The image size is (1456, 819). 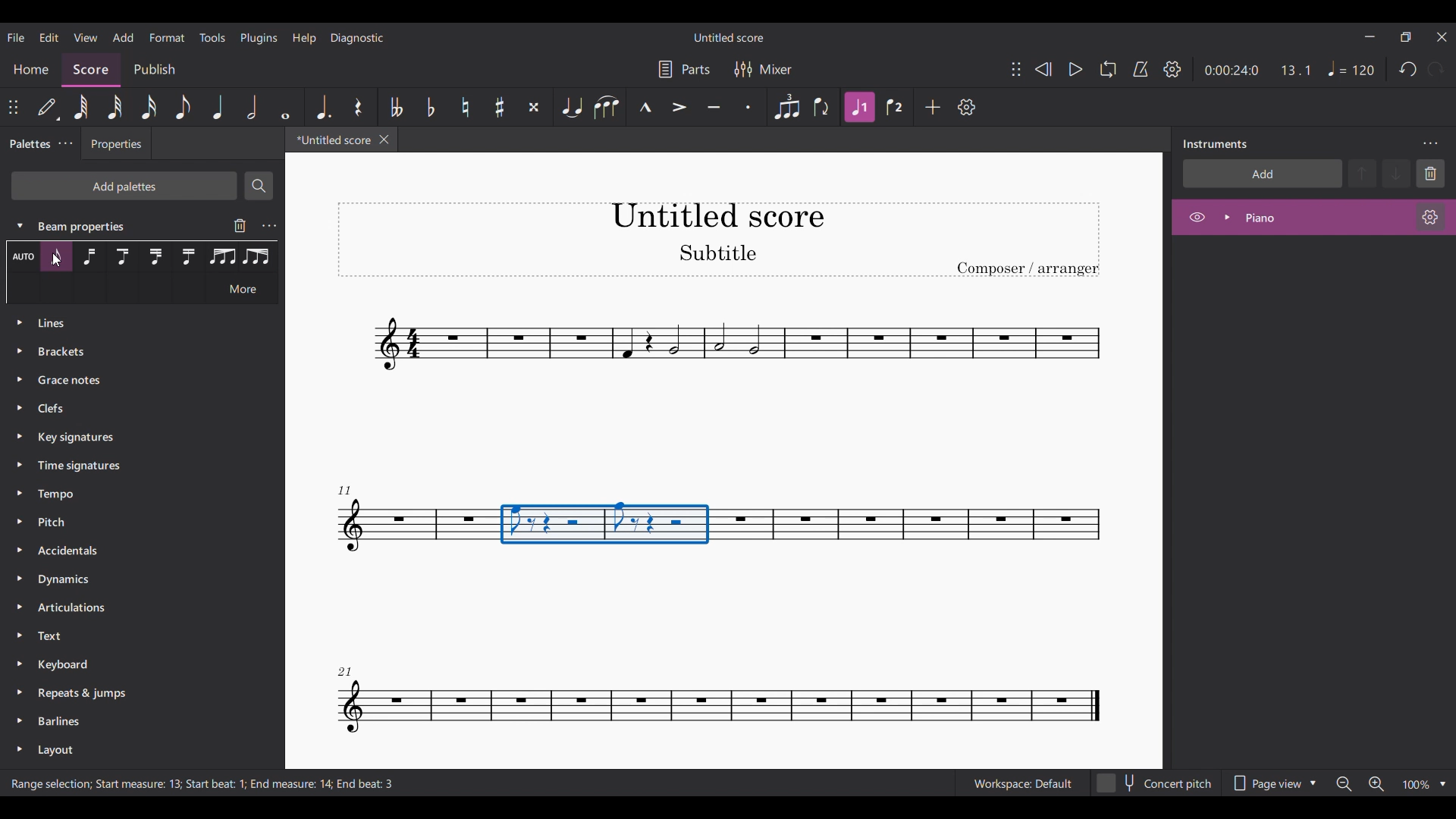 I want to click on Tie, so click(x=573, y=107).